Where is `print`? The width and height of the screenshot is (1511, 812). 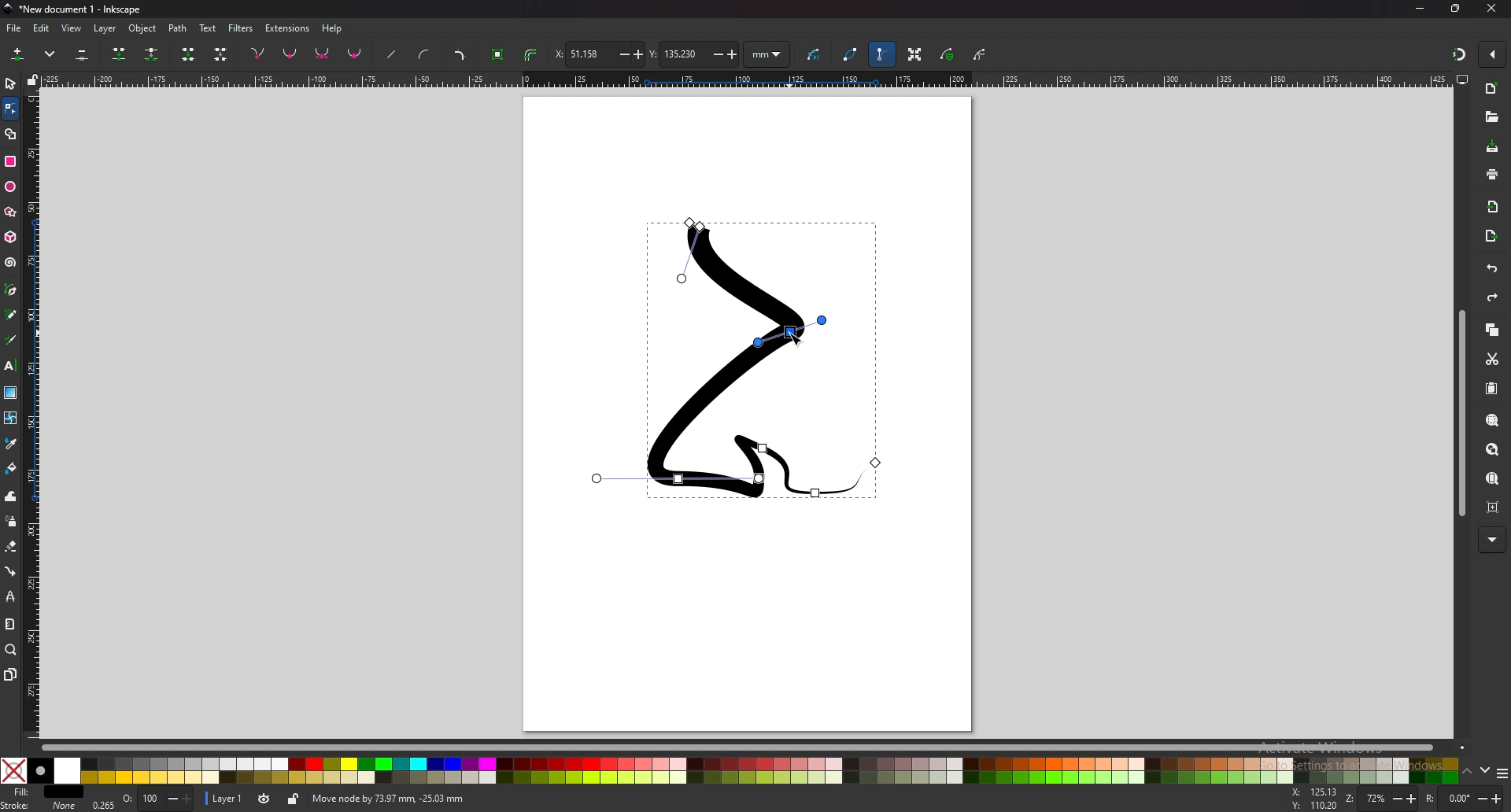 print is located at coordinates (1492, 173).